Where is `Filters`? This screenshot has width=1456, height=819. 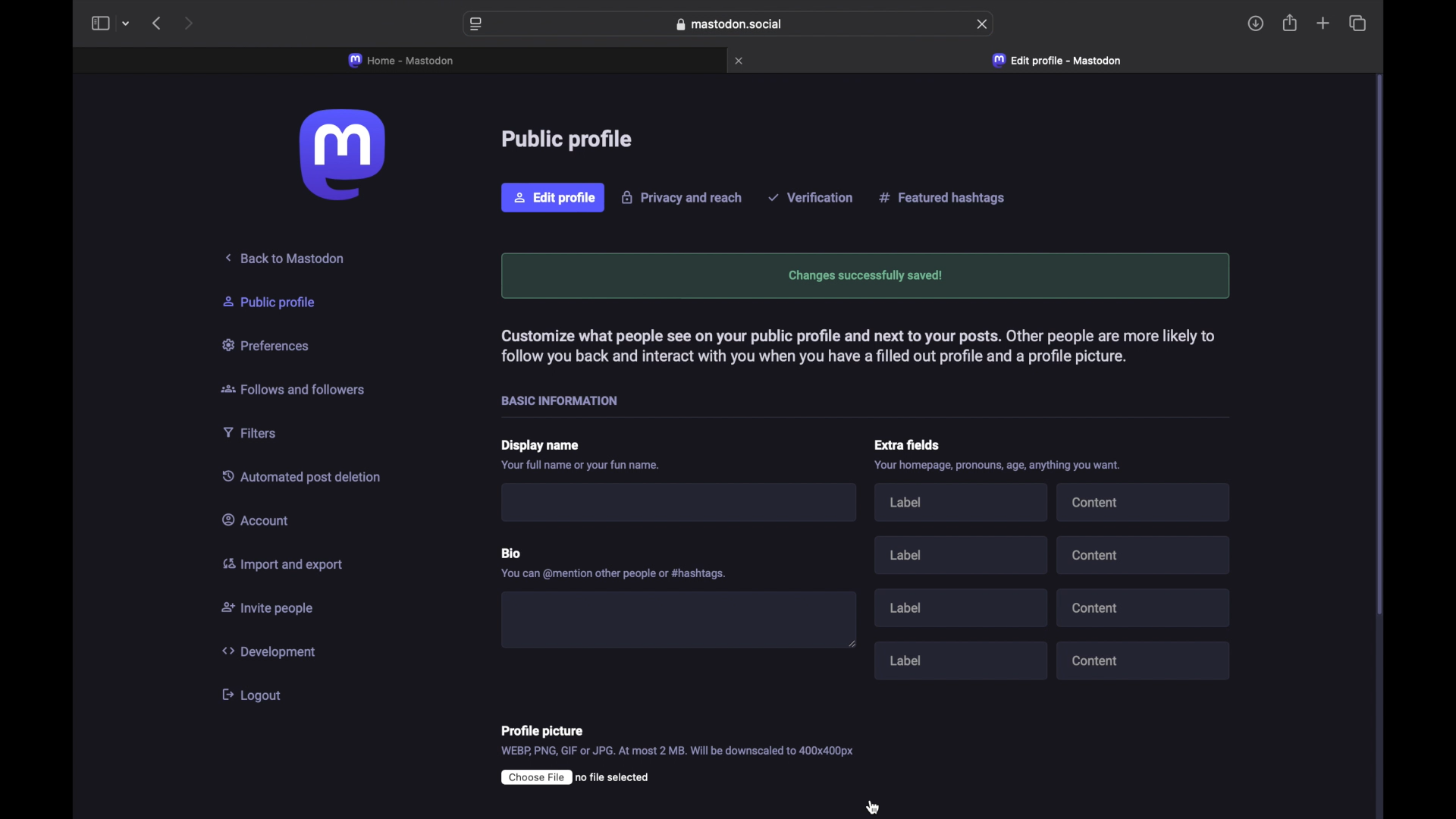 Filters is located at coordinates (249, 433).